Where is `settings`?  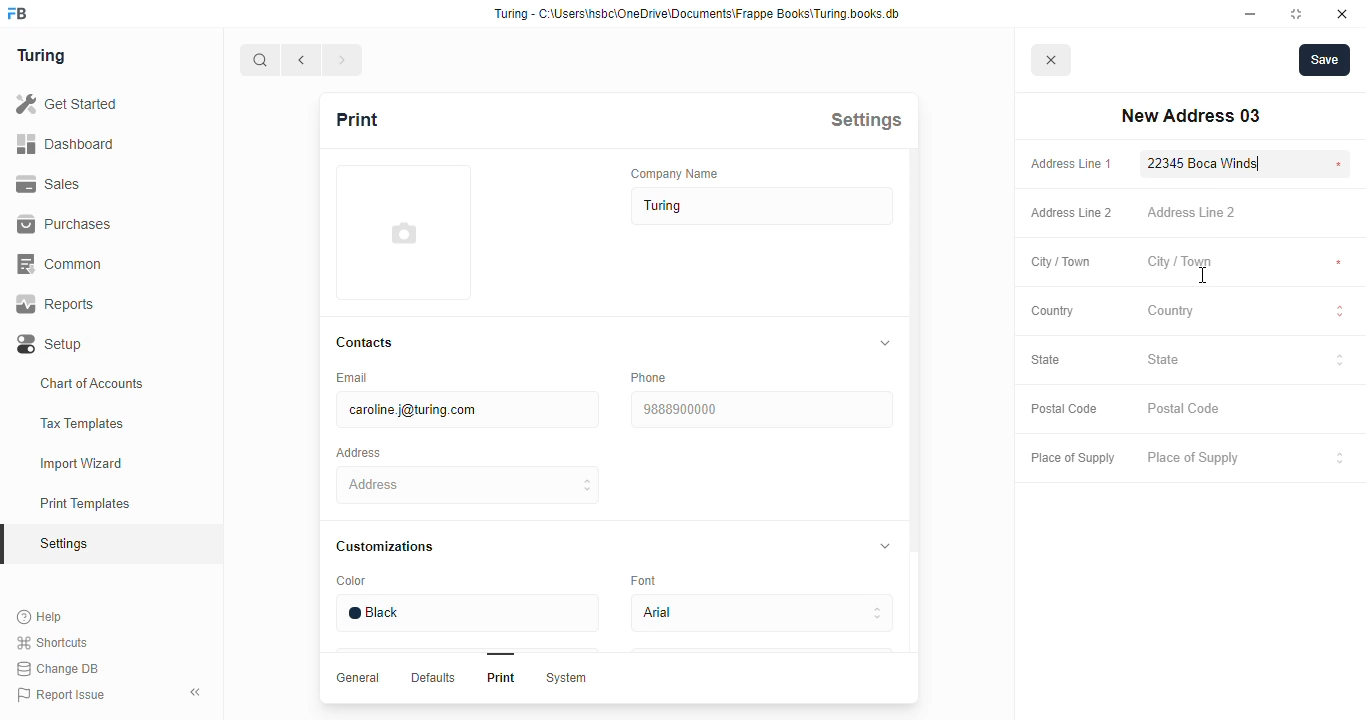
settings is located at coordinates (66, 545).